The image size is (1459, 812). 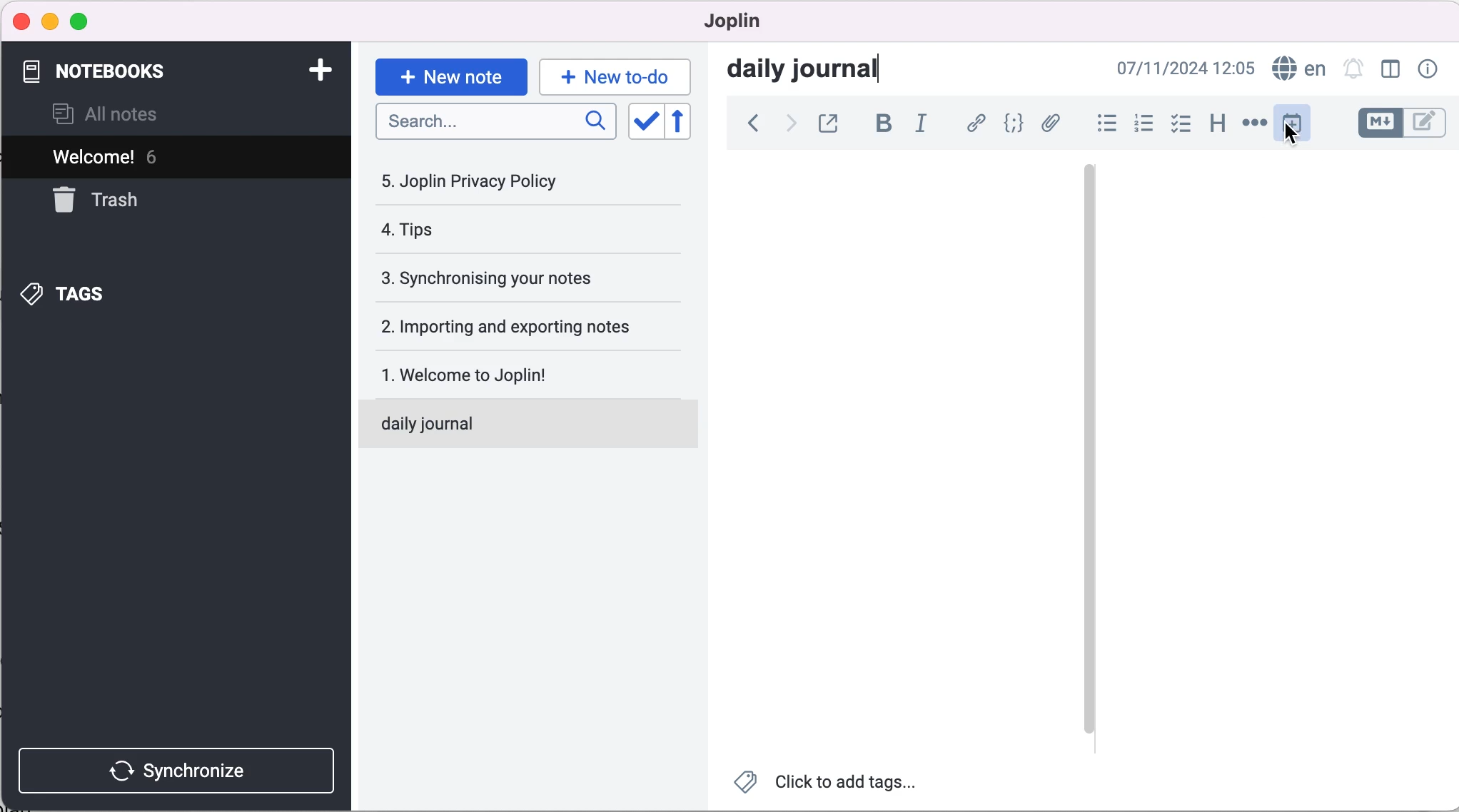 I want to click on trash, so click(x=141, y=202).